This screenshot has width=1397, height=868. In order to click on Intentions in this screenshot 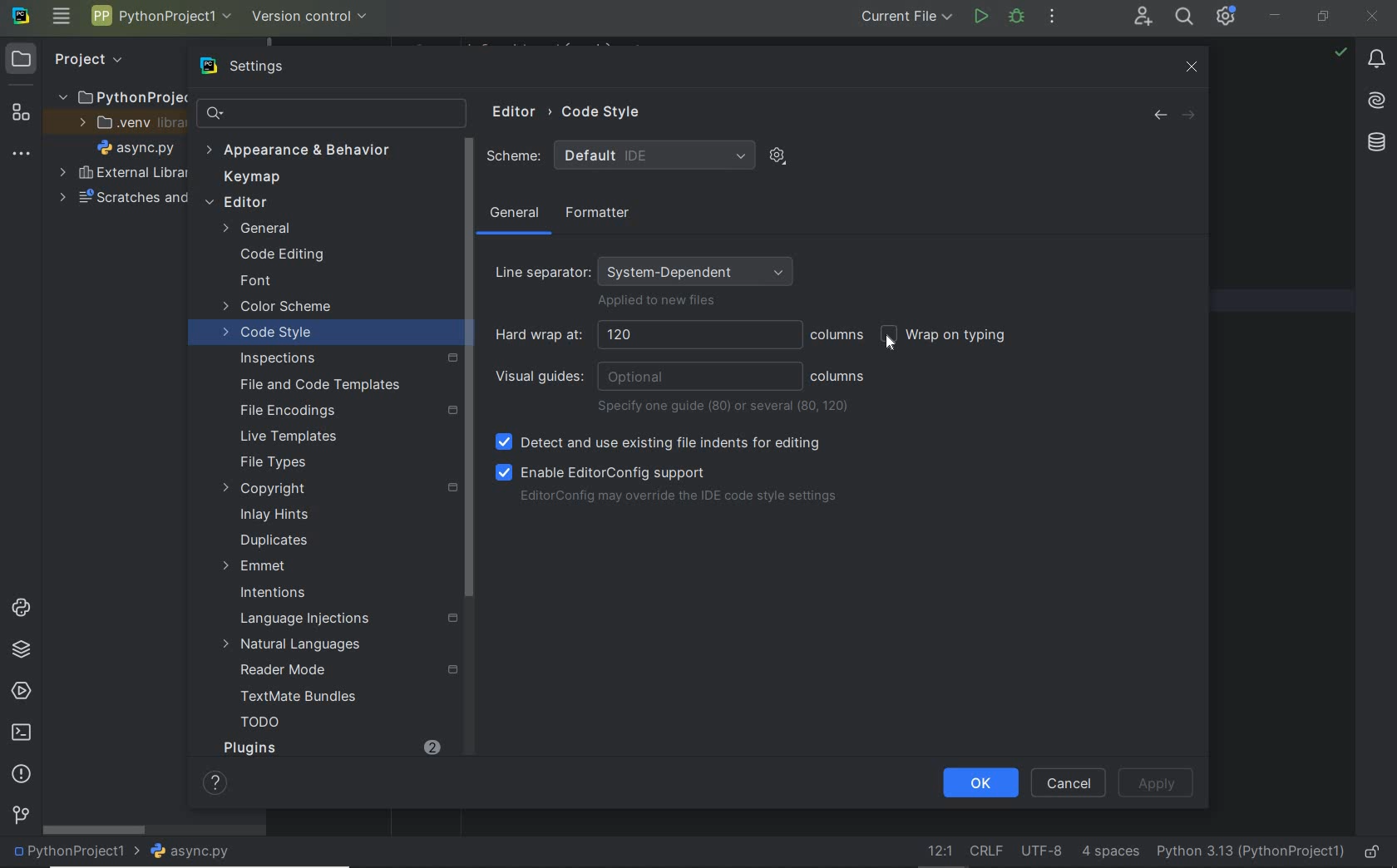, I will do `click(274, 594)`.